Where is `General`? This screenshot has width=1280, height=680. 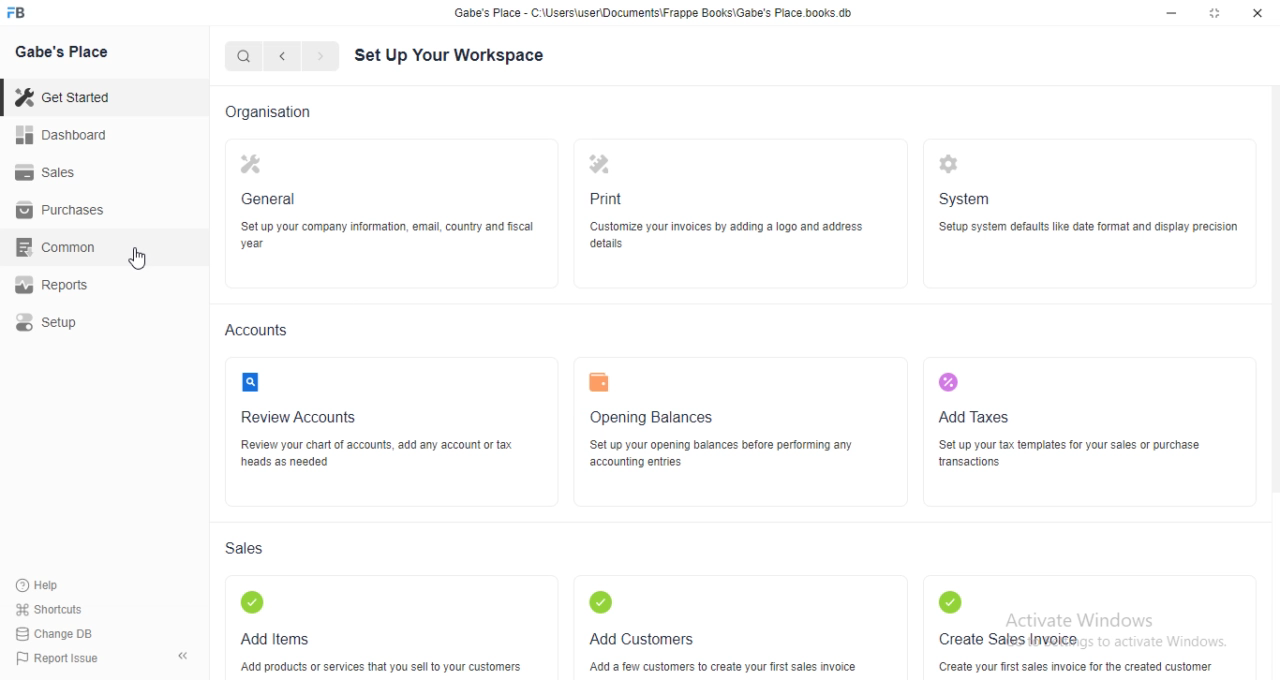
General is located at coordinates (267, 180).